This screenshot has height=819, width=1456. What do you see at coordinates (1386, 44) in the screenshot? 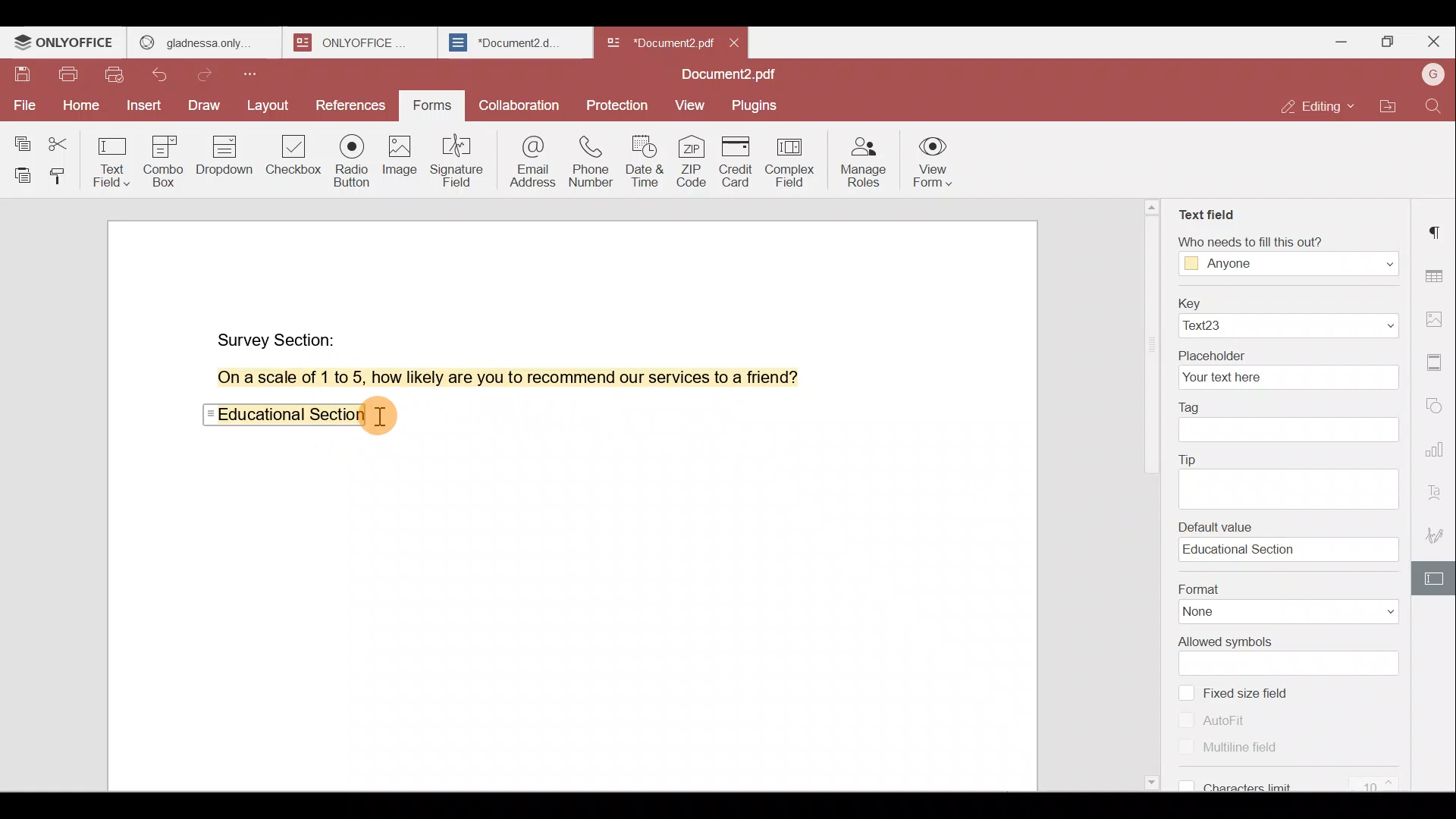
I see `Maximize` at bounding box center [1386, 44].